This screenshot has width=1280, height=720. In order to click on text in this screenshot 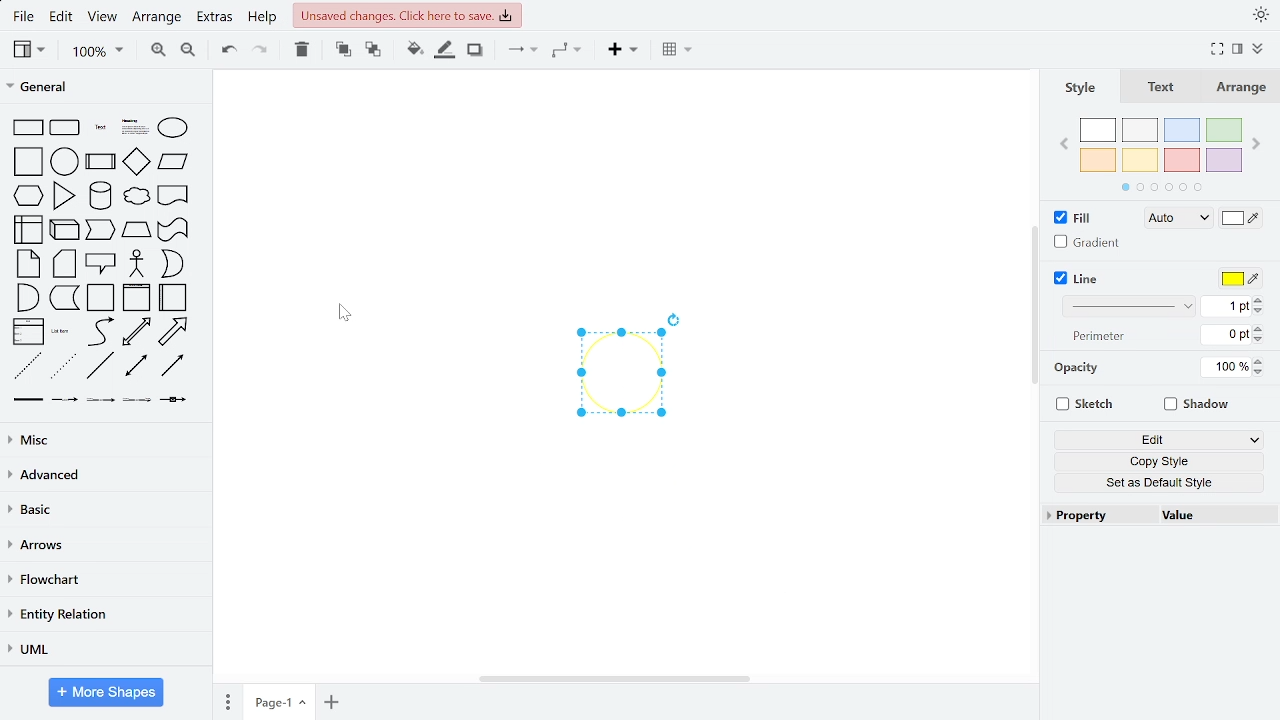, I will do `click(1163, 88)`.